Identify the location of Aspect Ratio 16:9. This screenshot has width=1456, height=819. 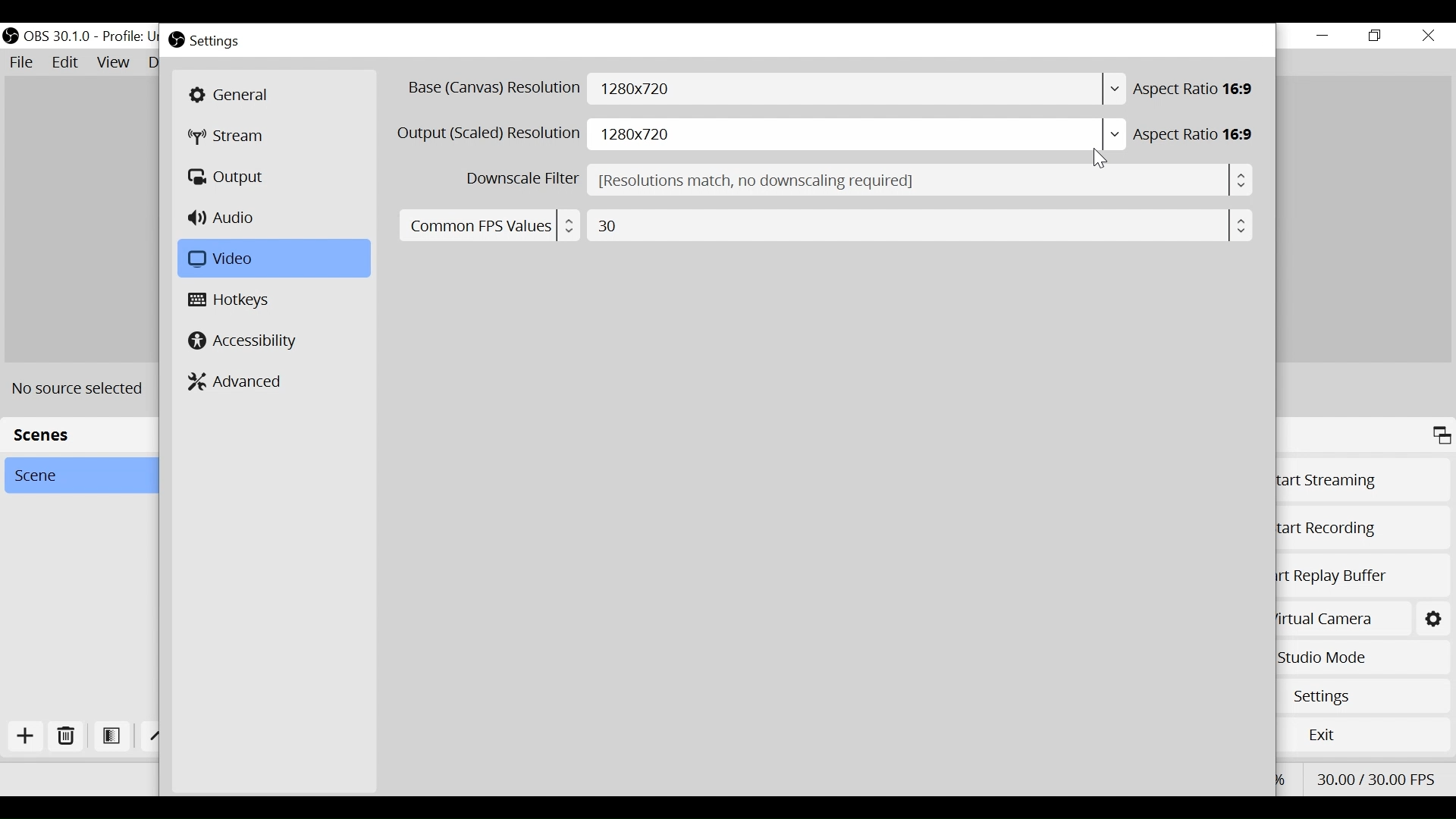
(1198, 89).